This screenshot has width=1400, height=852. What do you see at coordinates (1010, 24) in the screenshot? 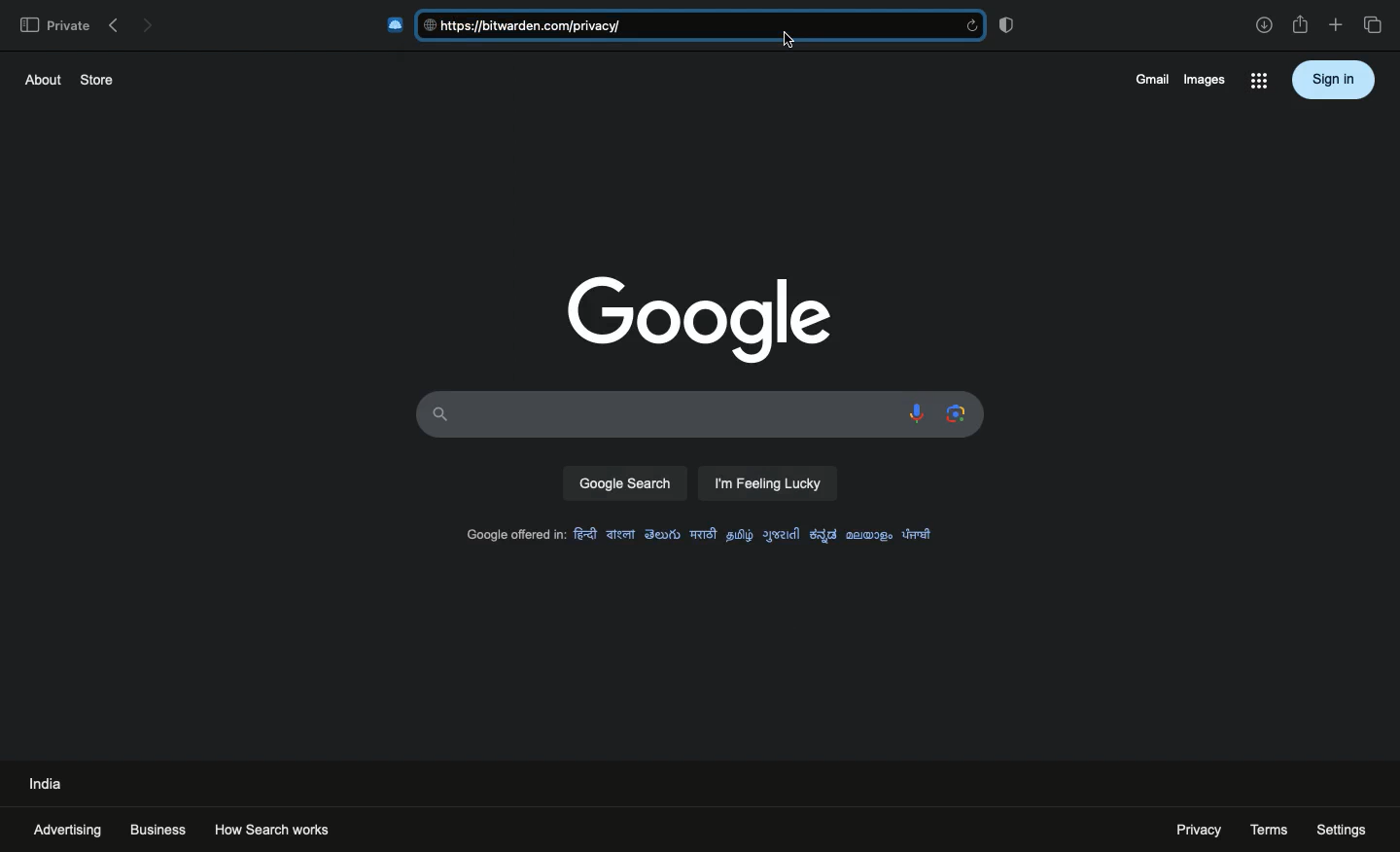
I see `badge` at bounding box center [1010, 24].